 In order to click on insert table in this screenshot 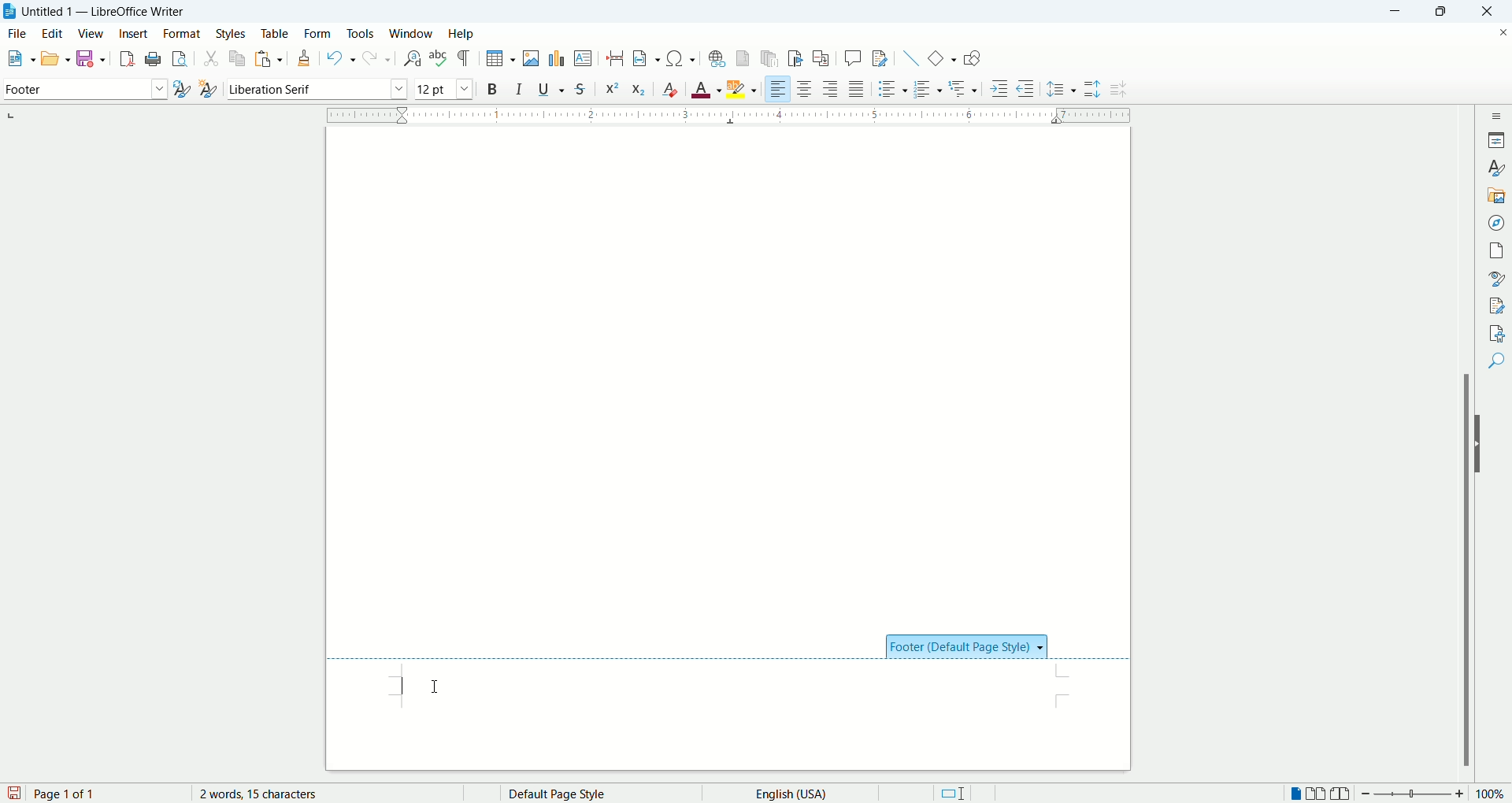, I will do `click(501, 59)`.